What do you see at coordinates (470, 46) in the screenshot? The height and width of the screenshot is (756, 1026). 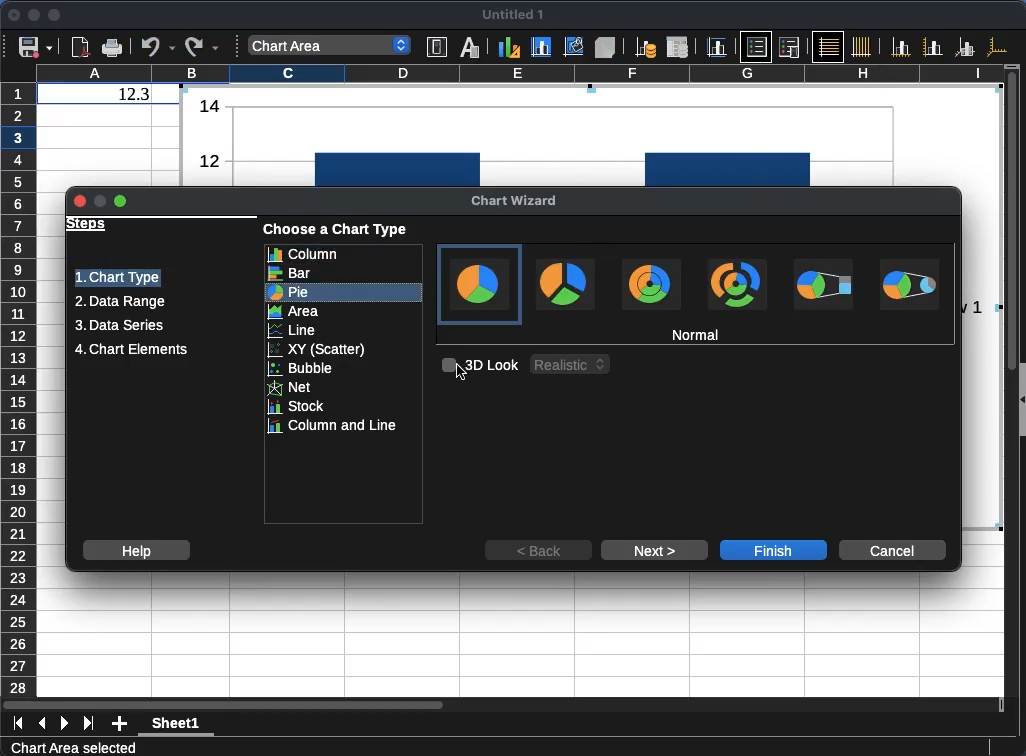 I see `Character` at bounding box center [470, 46].